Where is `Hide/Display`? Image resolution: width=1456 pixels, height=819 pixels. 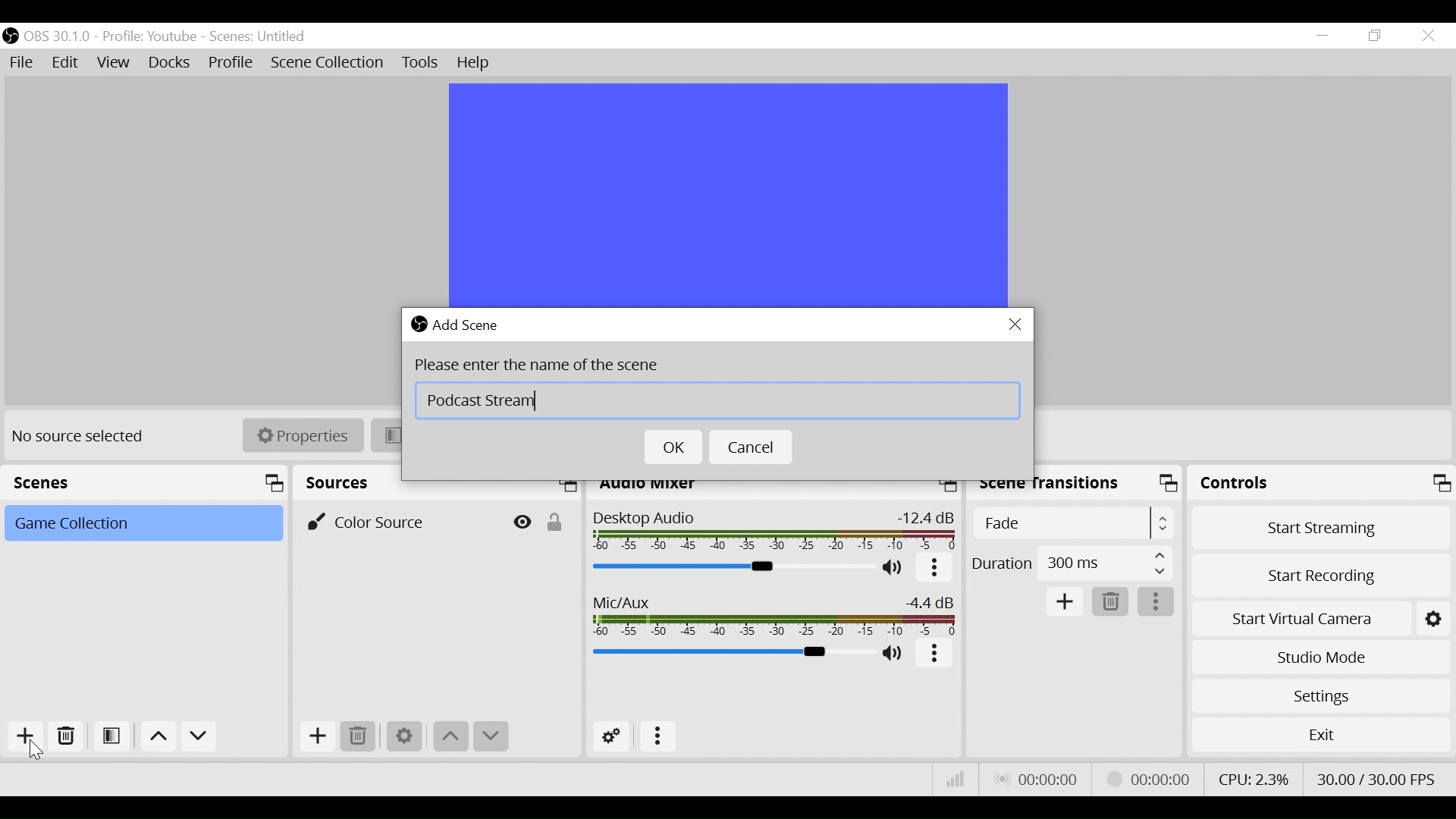
Hide/Display is located at coordinates (522, 522).